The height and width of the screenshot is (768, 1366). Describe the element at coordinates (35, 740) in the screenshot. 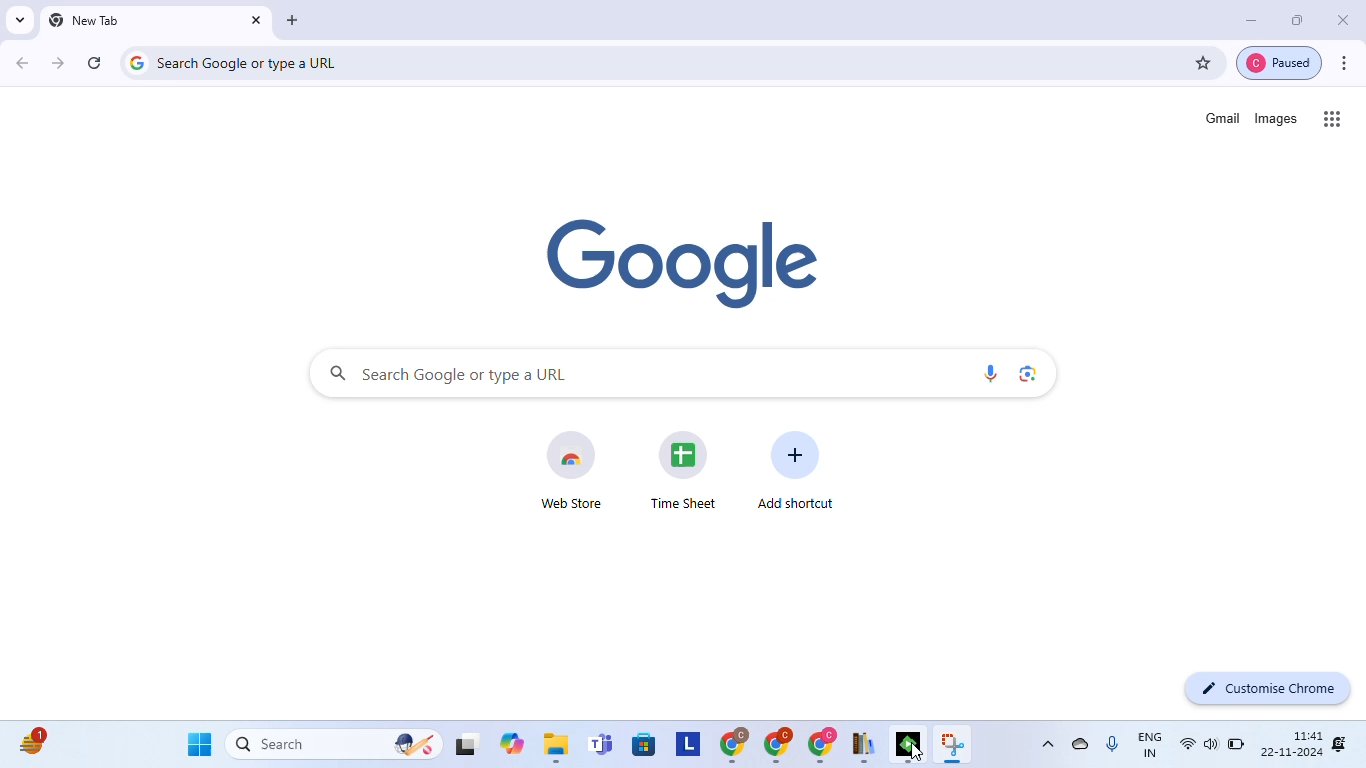

I see `weather forecast` at that location.